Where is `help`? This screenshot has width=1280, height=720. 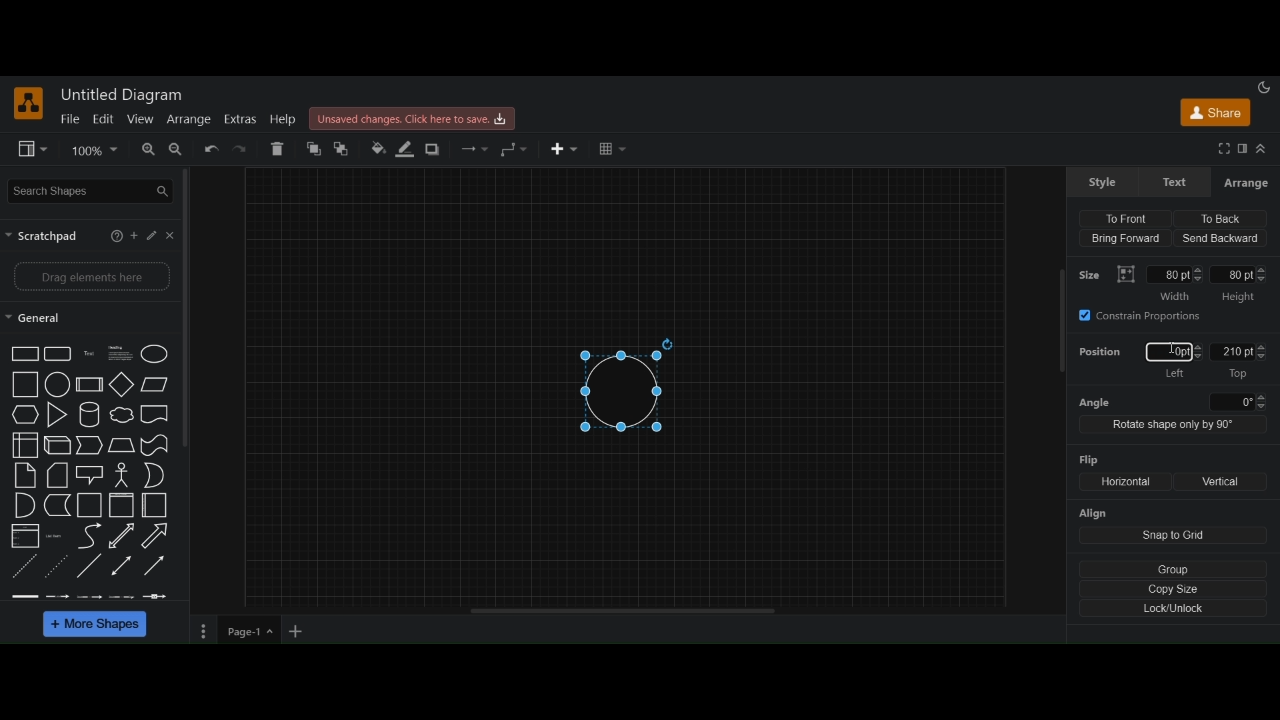 help is located at coordinates (113, 237).